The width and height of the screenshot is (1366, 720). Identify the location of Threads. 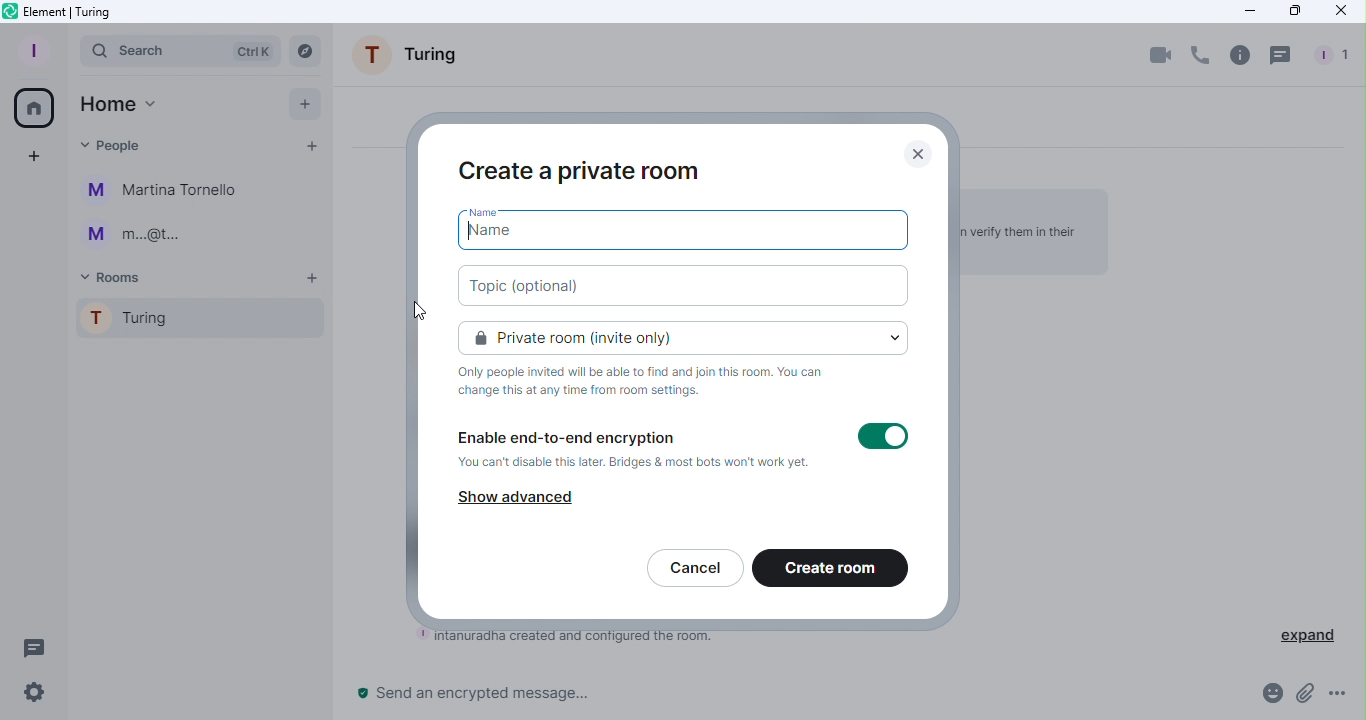
(1283, 55).